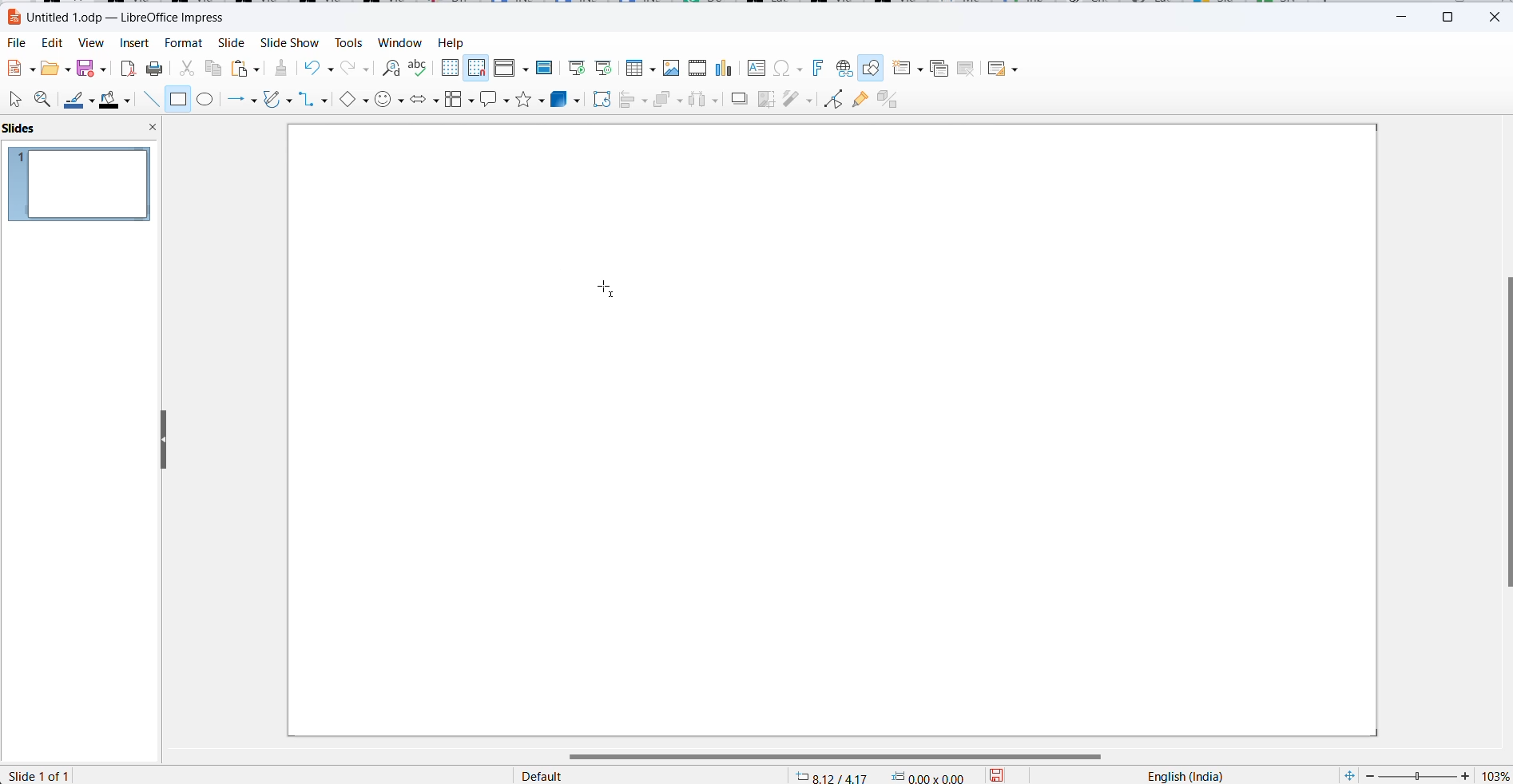 The width and height of the screenshot is (1513, 784). I want to click on scroll bar, so click(1503, 433).